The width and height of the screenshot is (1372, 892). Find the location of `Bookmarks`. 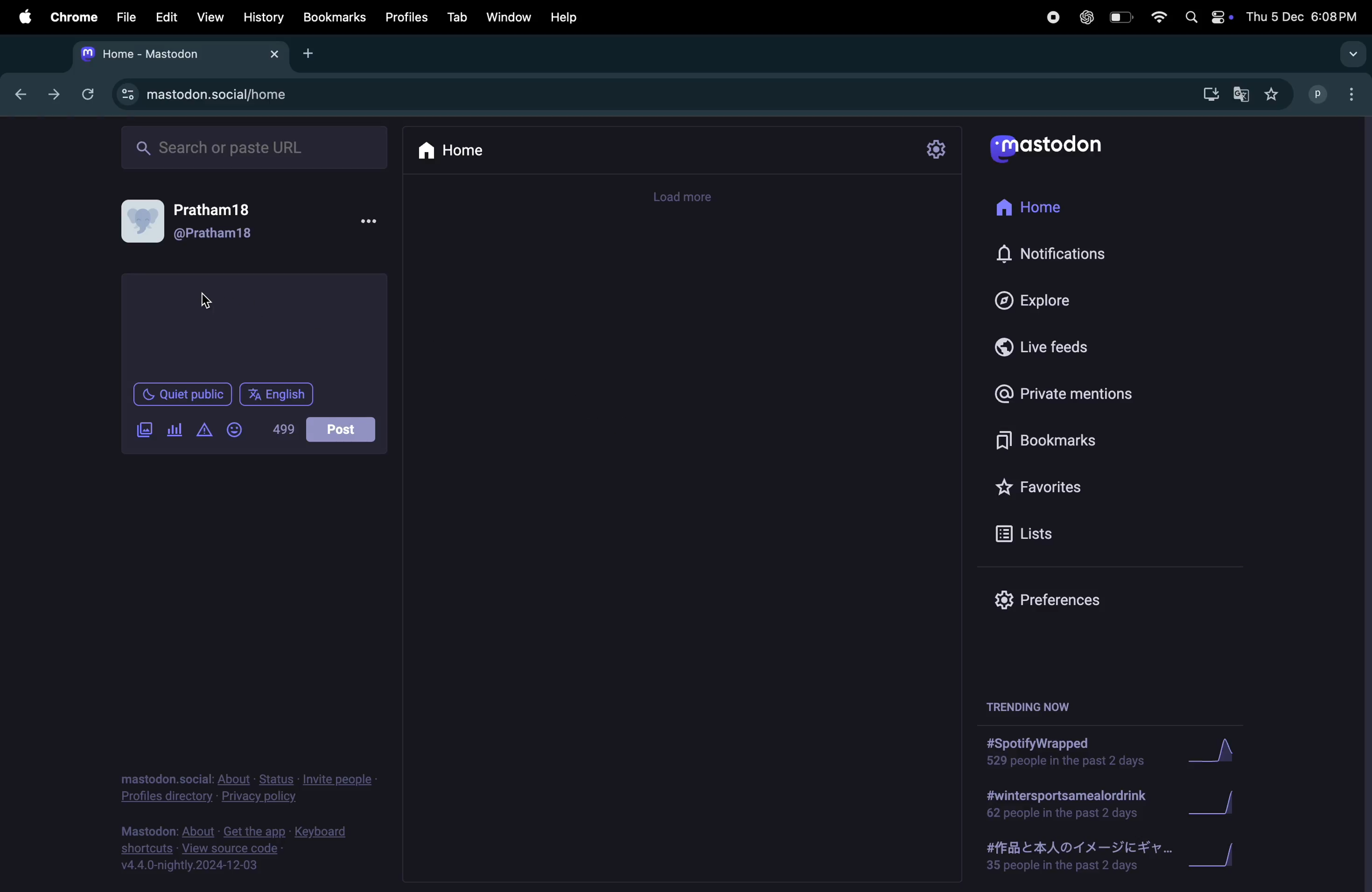

Bookmarks is located at coordinates (334, 17).